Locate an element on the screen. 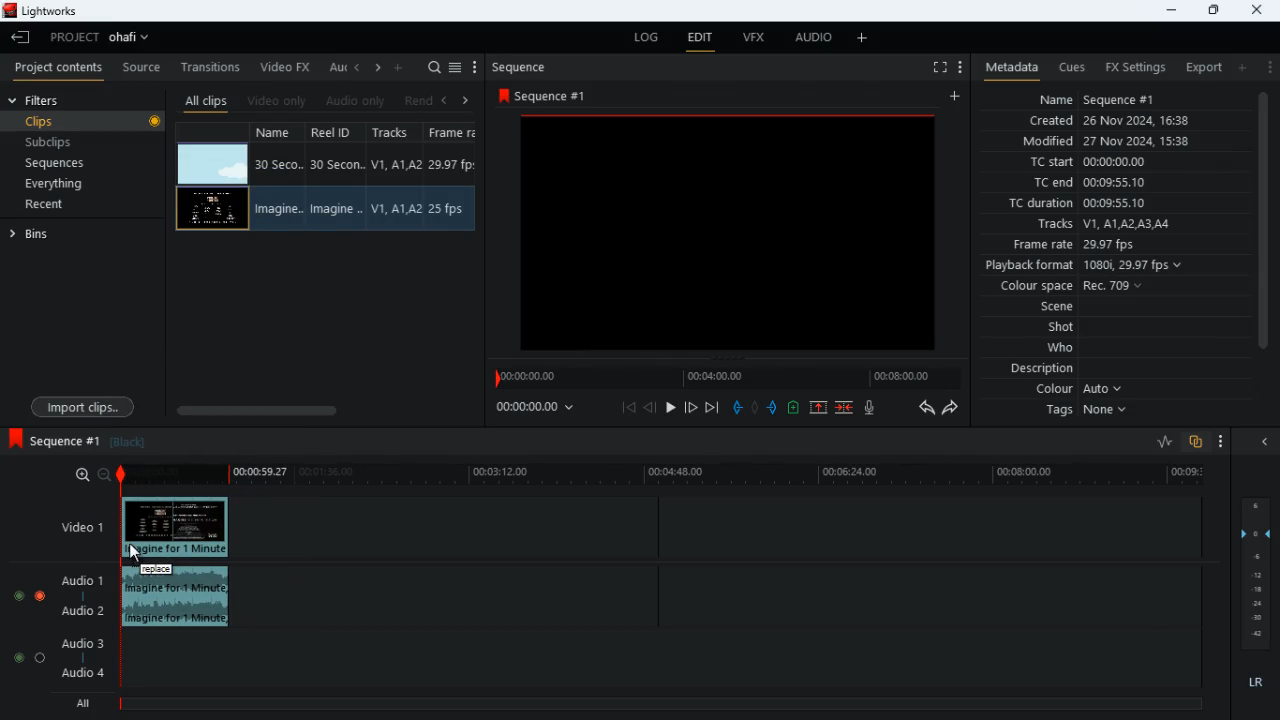  Audio 4 is located at coordinates (82, 674).